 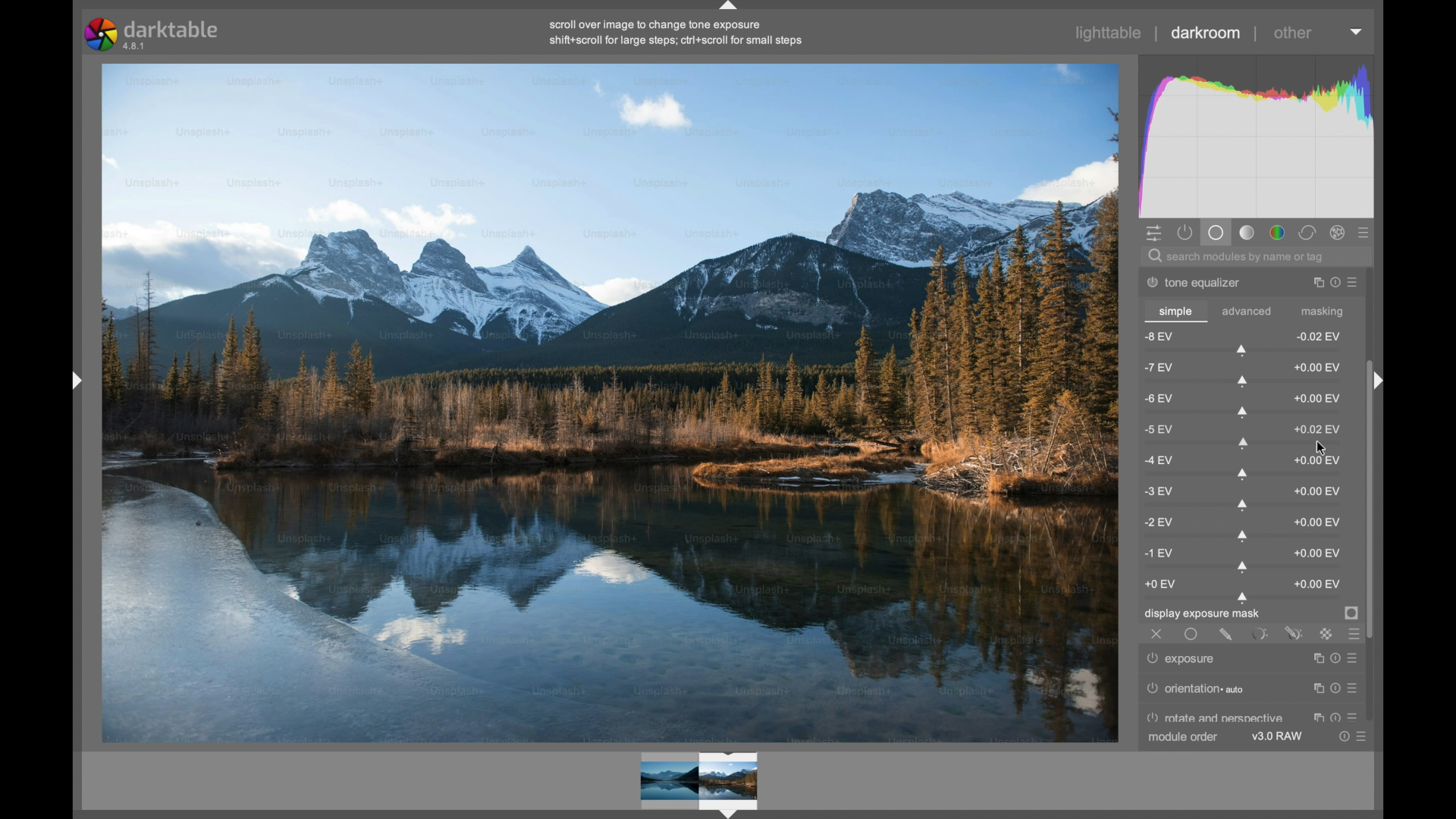 I want to click on presets, so click(x=1367, y=233).